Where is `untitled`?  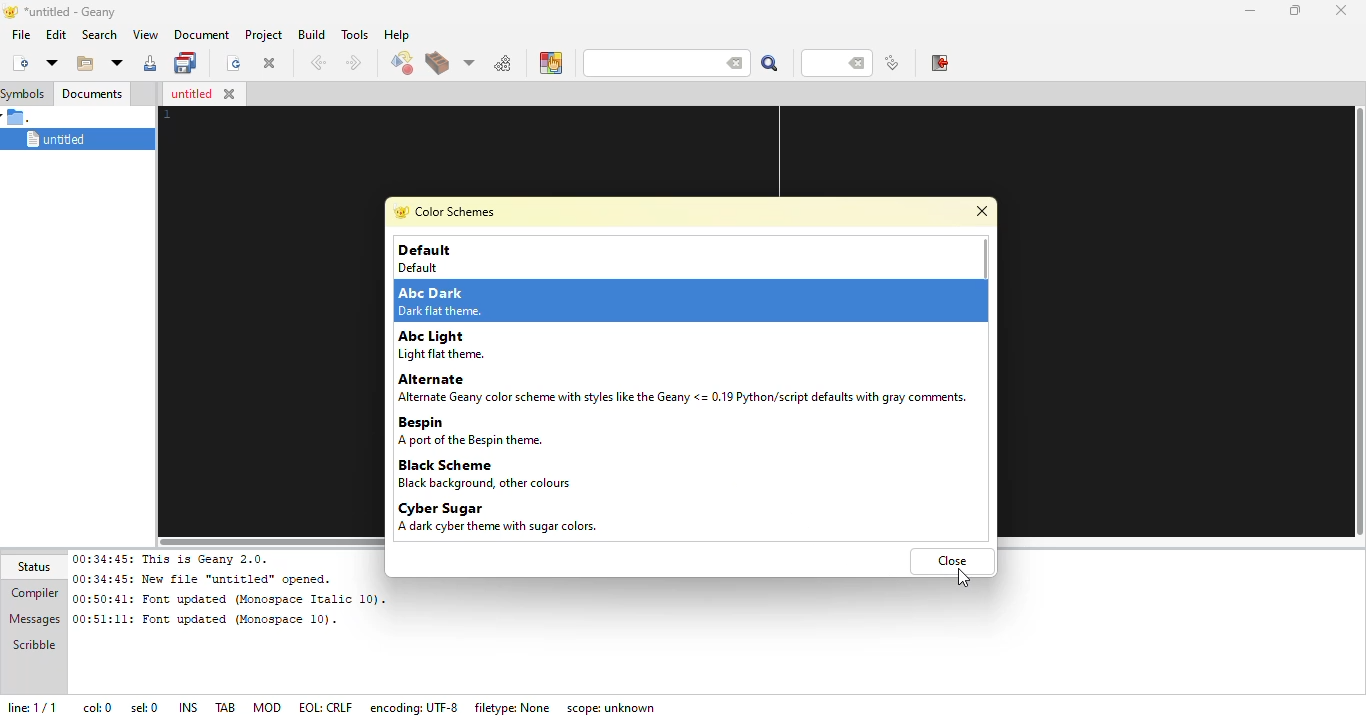 untitled is located at coordinates (73, 140).